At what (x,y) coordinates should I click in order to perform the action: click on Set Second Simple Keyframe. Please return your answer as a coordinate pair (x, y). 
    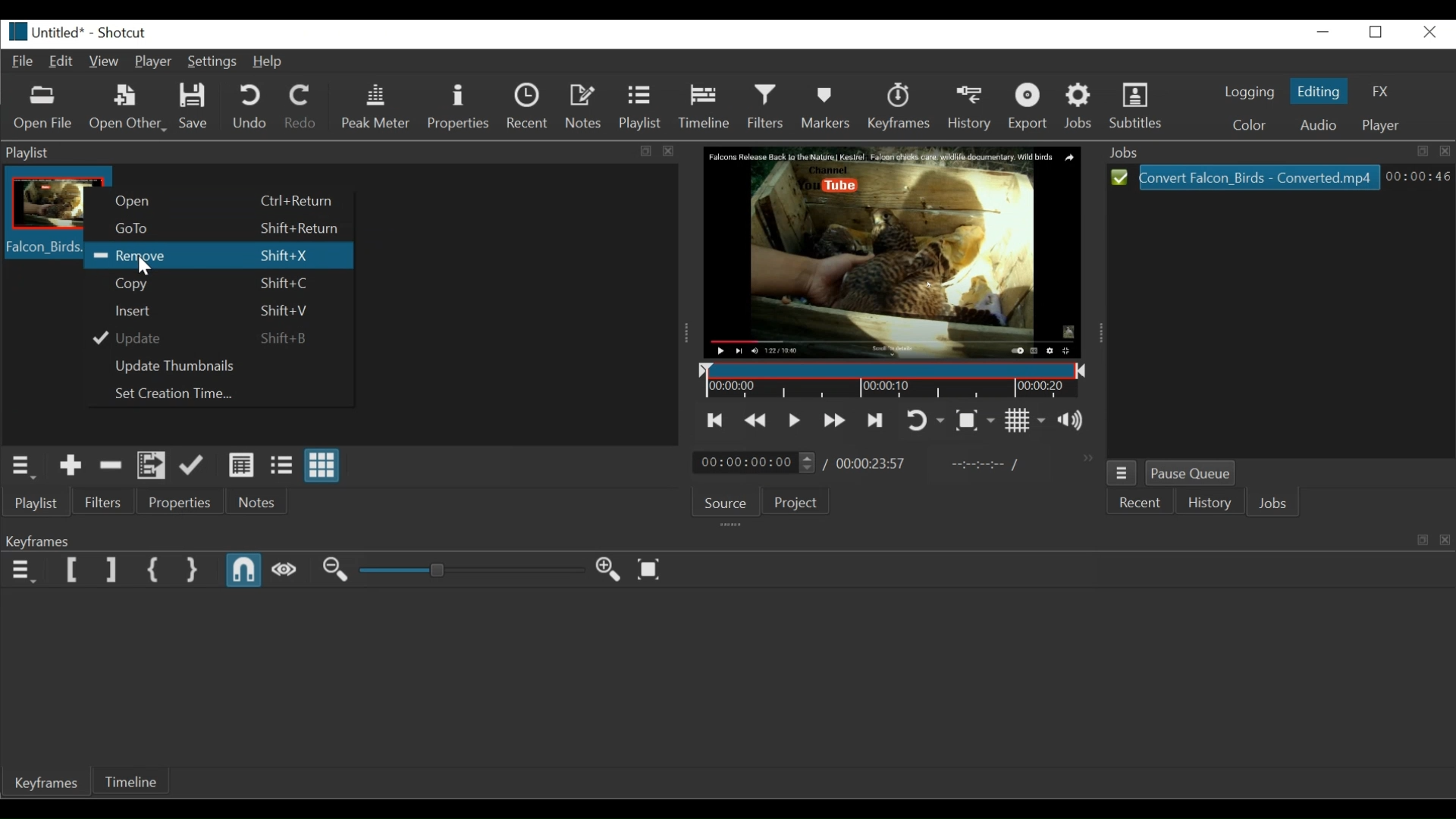
    Looking at the image, I should click on (193, 571).